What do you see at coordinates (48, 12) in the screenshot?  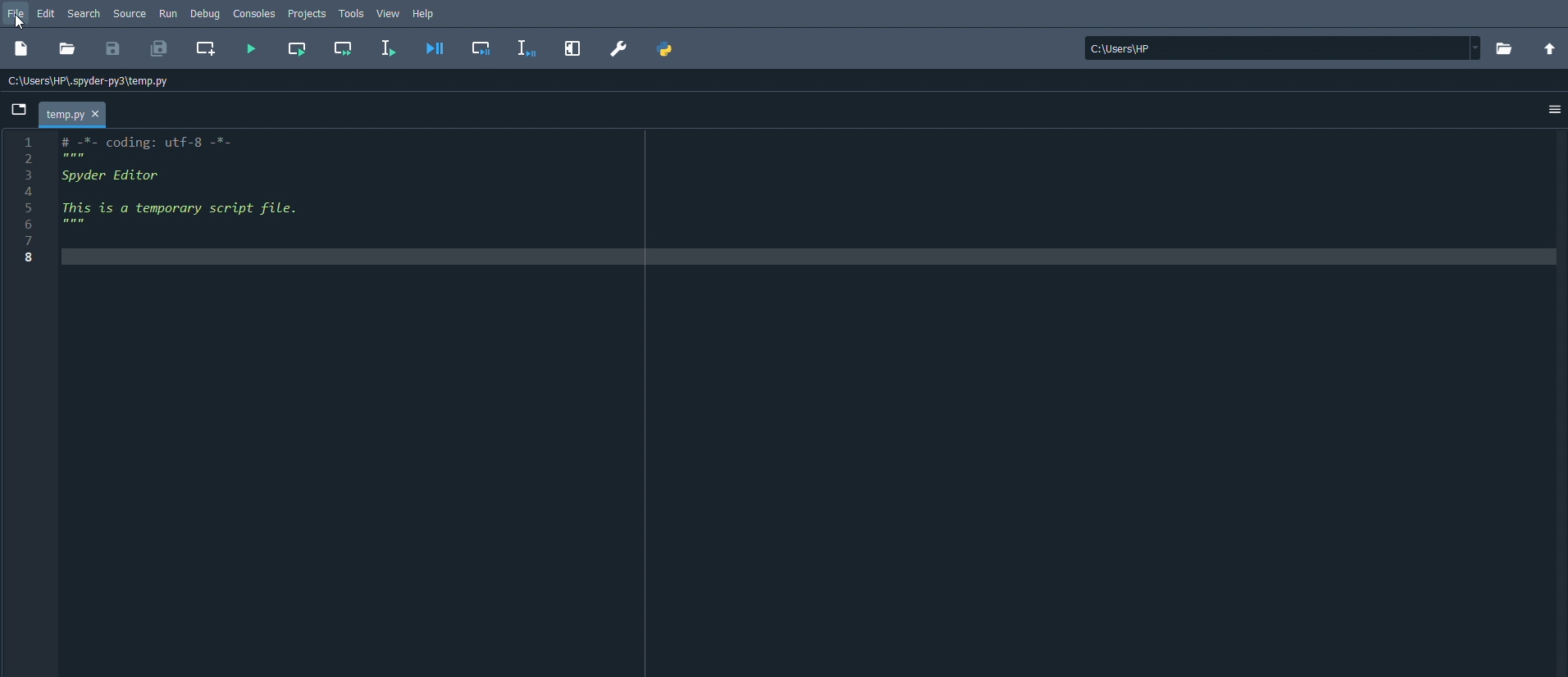 I see `Edit` at bounding box center [48, 12].